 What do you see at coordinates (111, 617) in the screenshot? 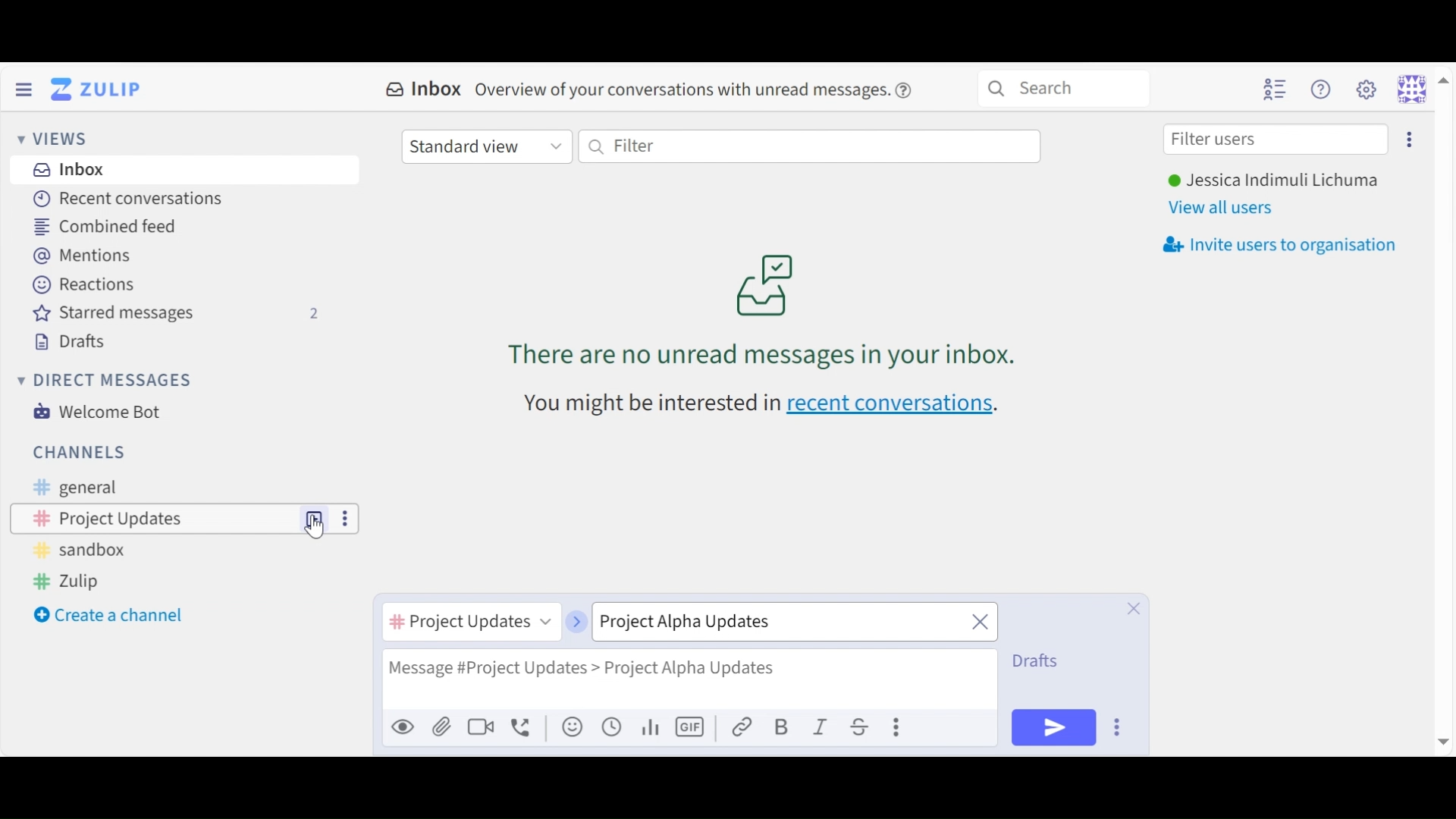
I see `Create a channel` at bounding box center [111, 617].